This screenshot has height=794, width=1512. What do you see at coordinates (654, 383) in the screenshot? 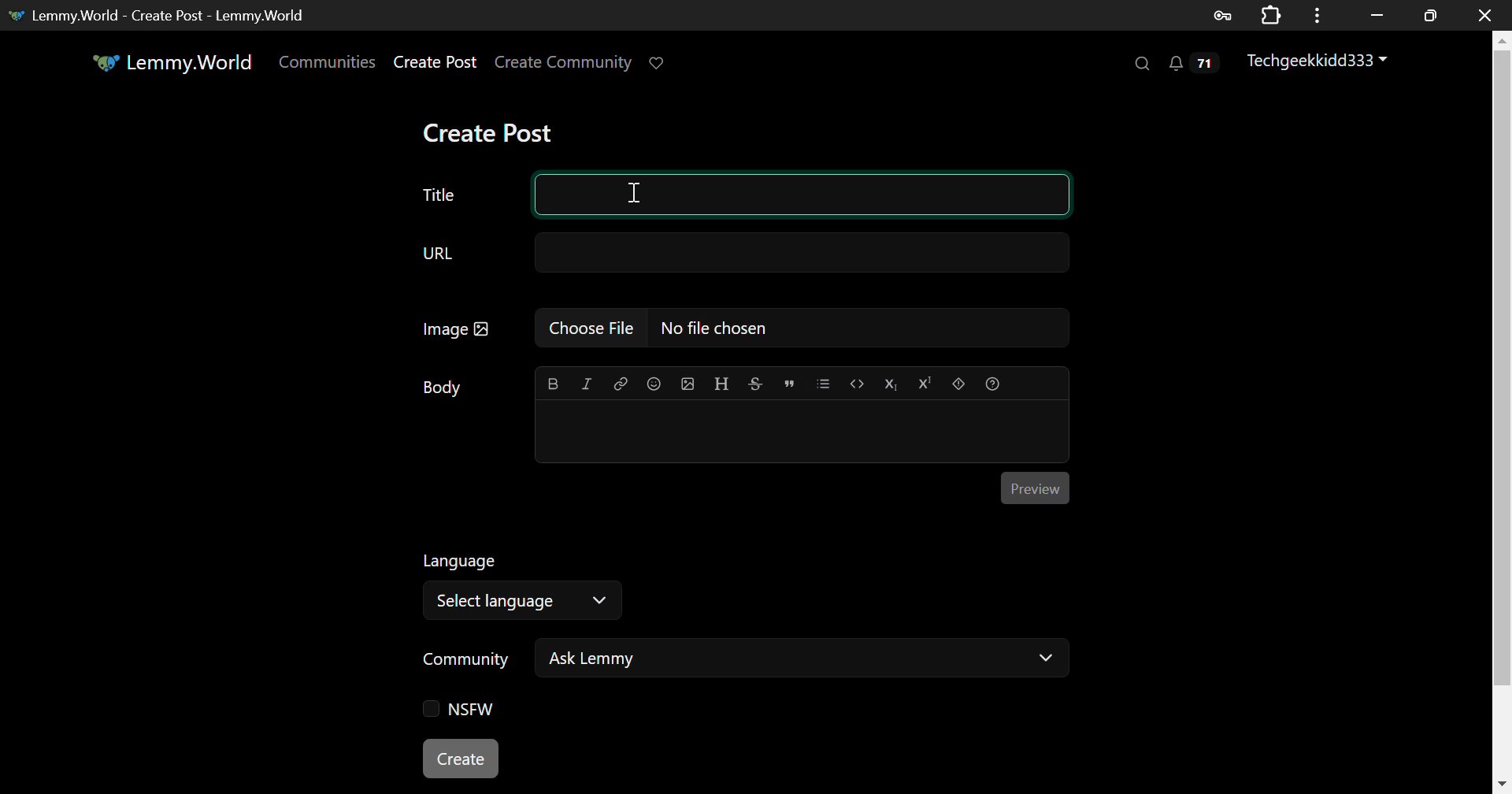
I see `Emoji` at bounding box center [654, 383].